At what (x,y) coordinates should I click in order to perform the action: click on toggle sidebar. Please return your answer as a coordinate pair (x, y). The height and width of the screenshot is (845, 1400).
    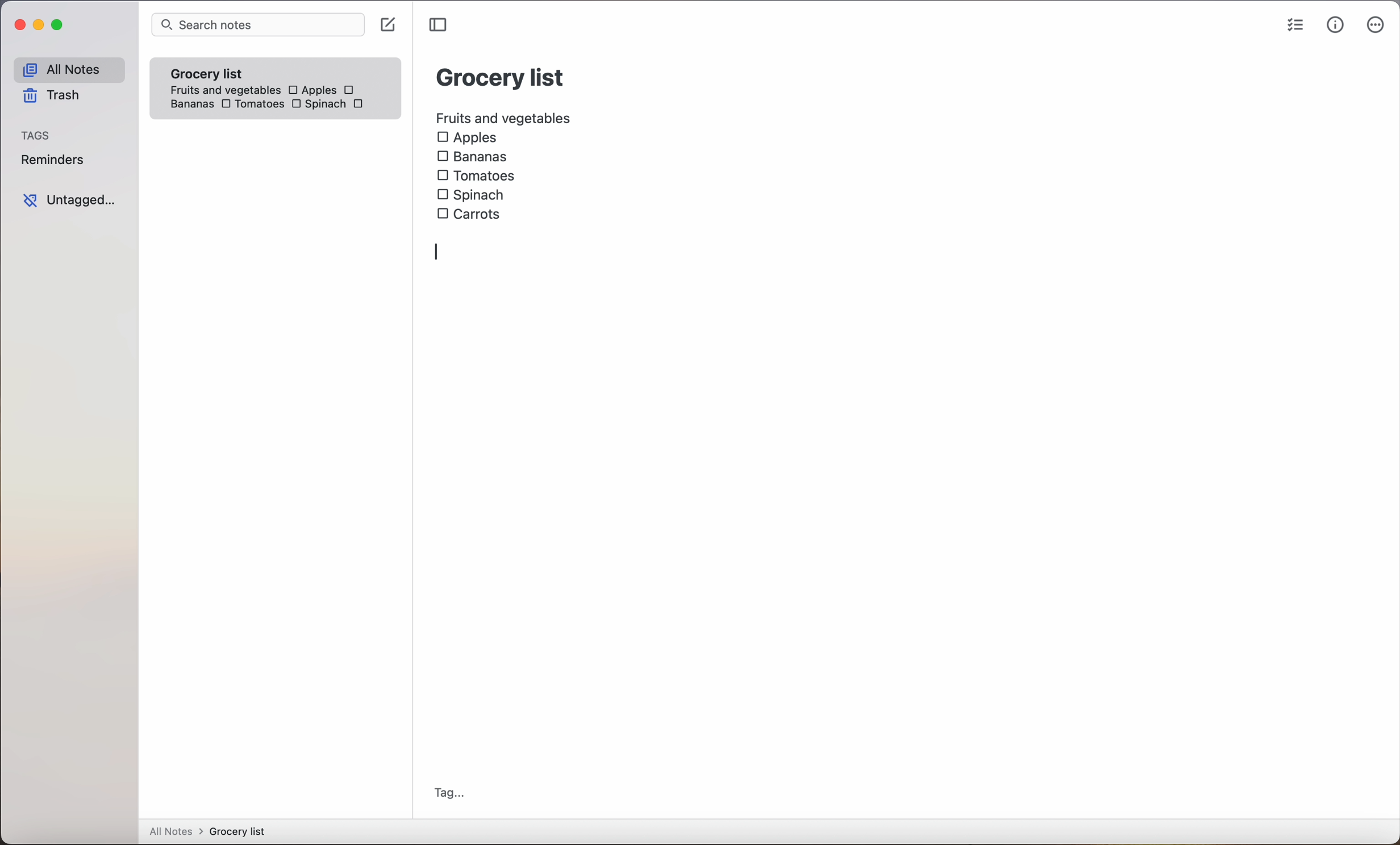
    Looking at the image, I should click on (440, 25).